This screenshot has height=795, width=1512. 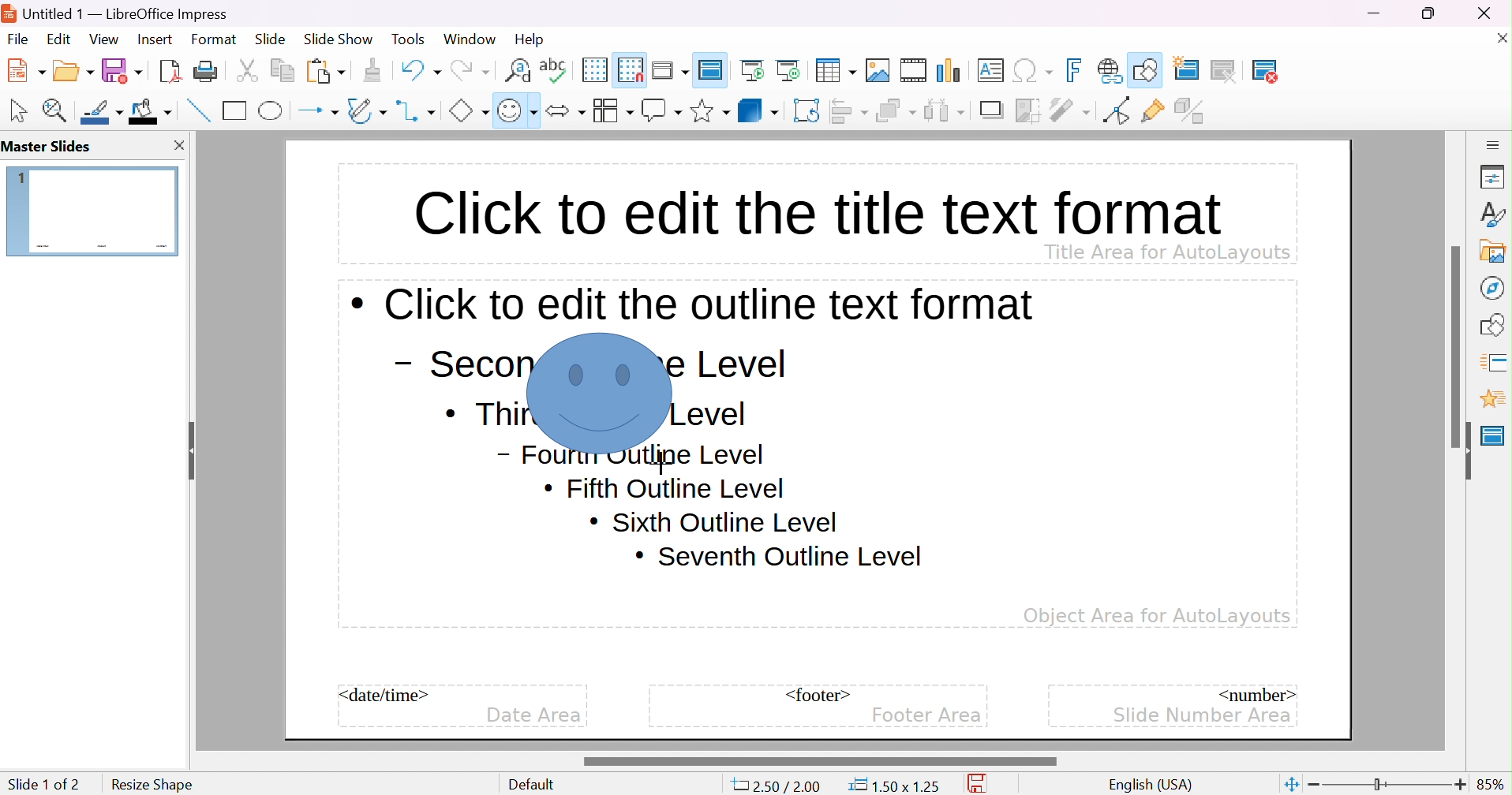 I want to click on curves and polygons, so click(x=366, y=110).